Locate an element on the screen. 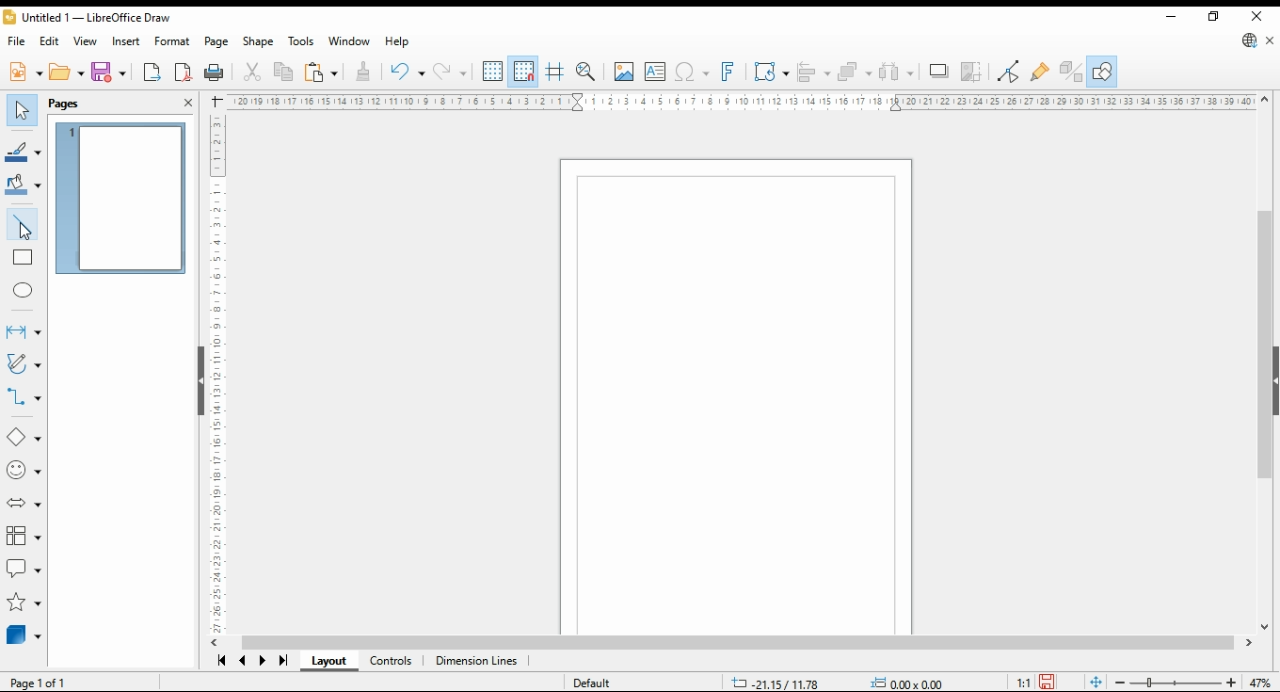  insert image is located at coordinates (624, 71).